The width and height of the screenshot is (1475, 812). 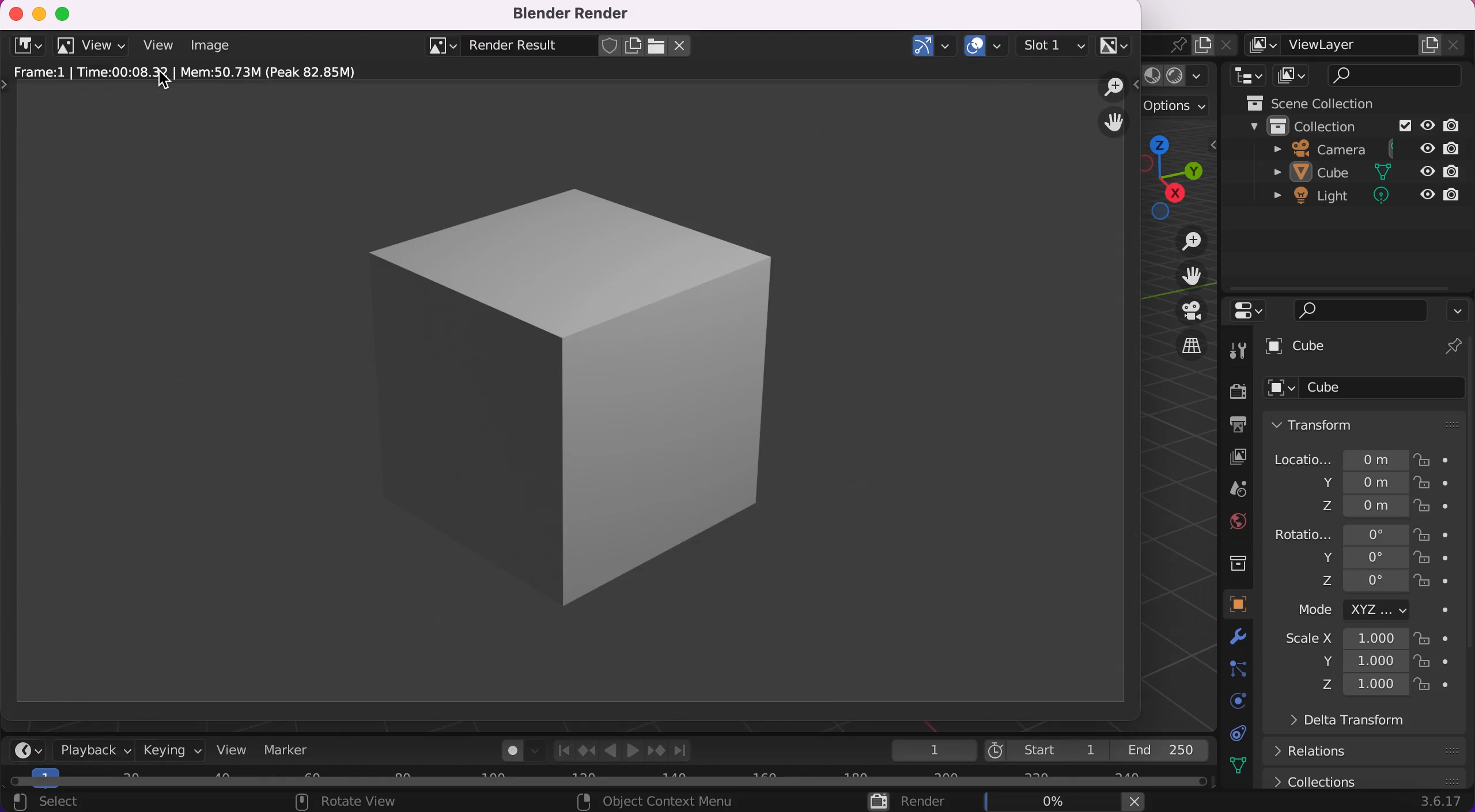 What do you see at coordinates (298, 750) in the screenshot?
I see `marker` at bounding box center [298, 750].